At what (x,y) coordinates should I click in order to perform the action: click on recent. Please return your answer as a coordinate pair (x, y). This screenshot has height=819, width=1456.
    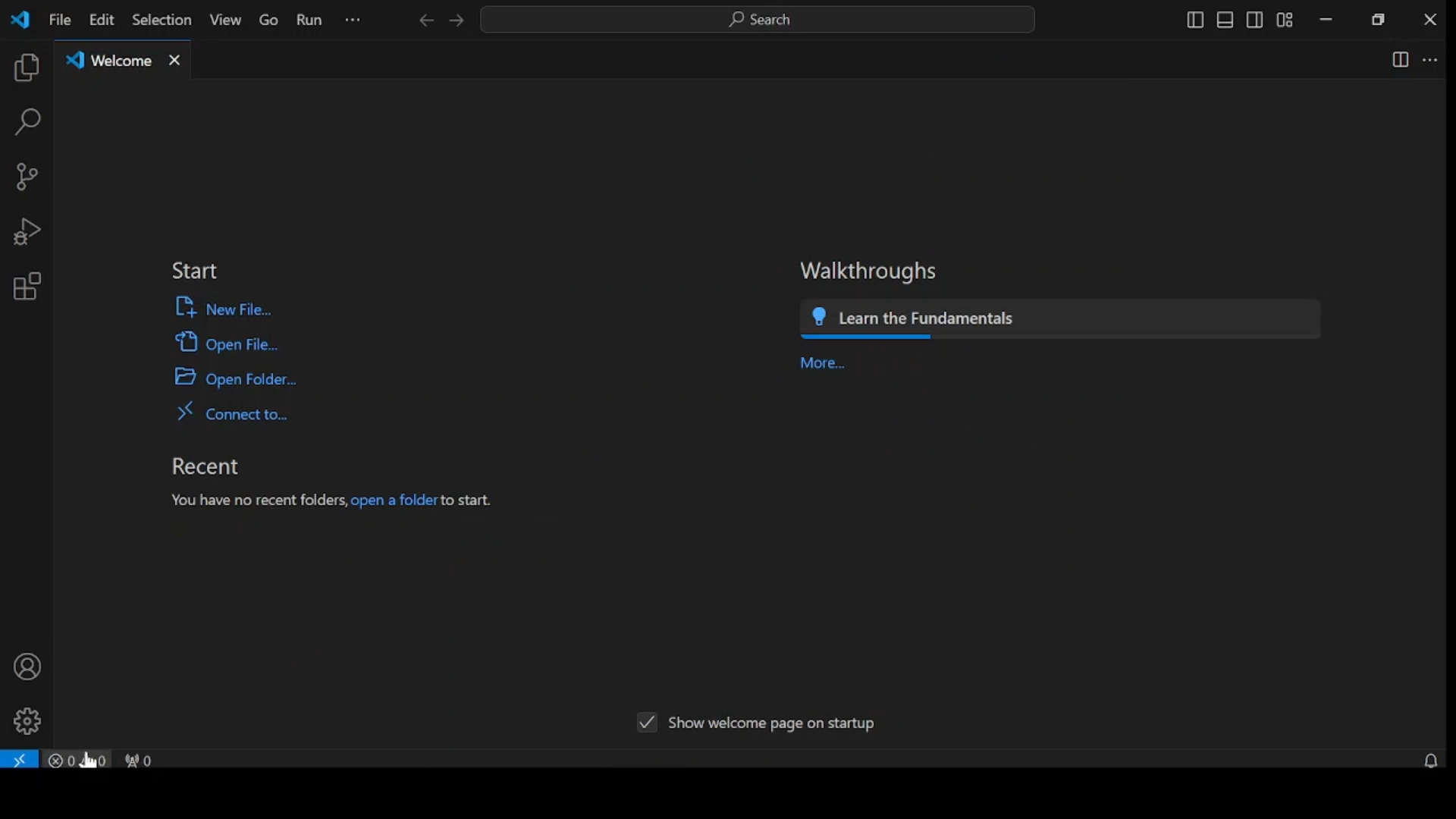
    Looking at the image, I should click on (210, 467).